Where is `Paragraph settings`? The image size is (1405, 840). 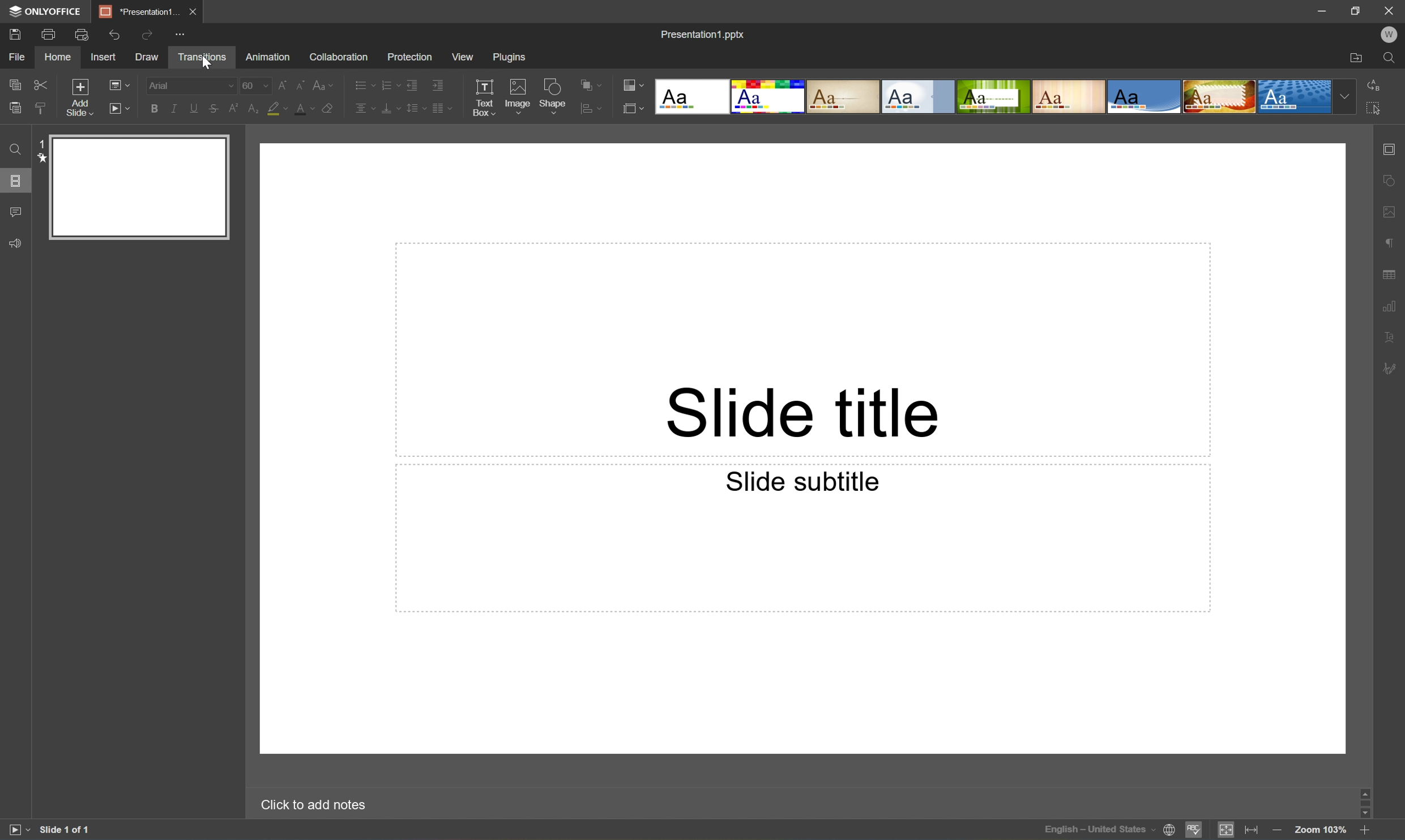
Paragraph settings is located at coordinates (1391, 245).